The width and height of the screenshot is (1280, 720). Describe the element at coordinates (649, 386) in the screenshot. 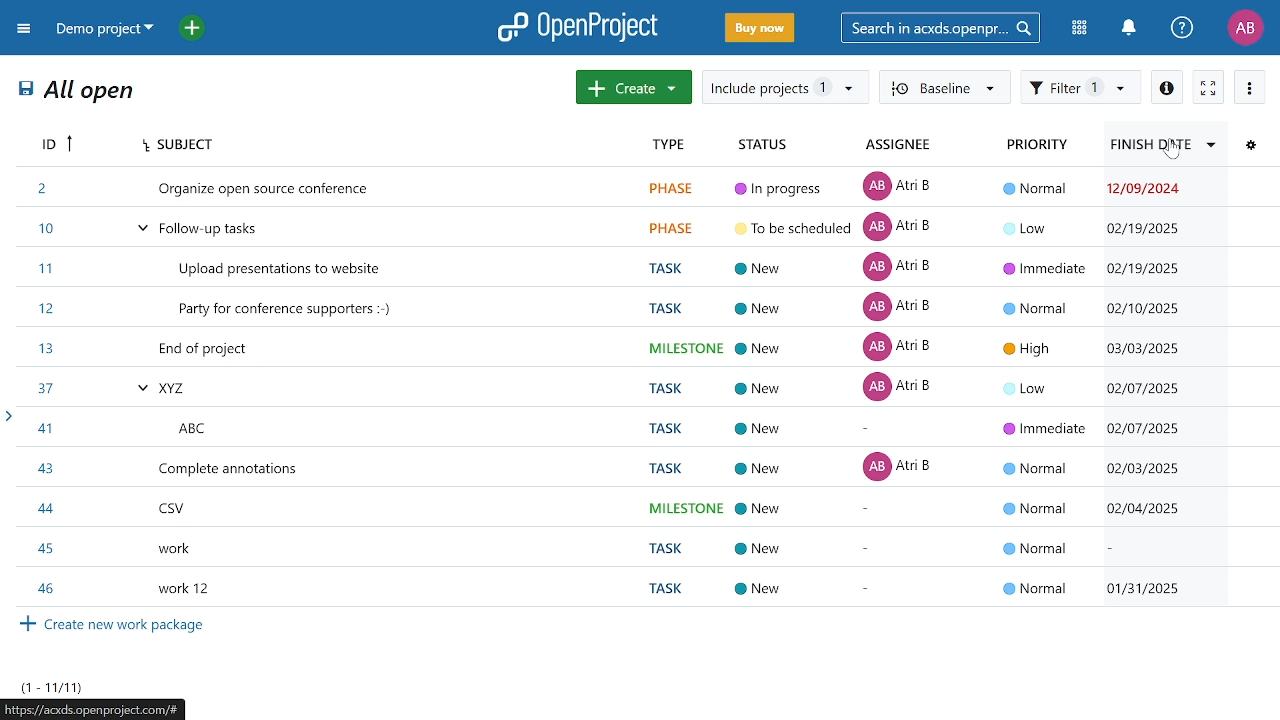

I see `task titled"XYZ"` at that location.